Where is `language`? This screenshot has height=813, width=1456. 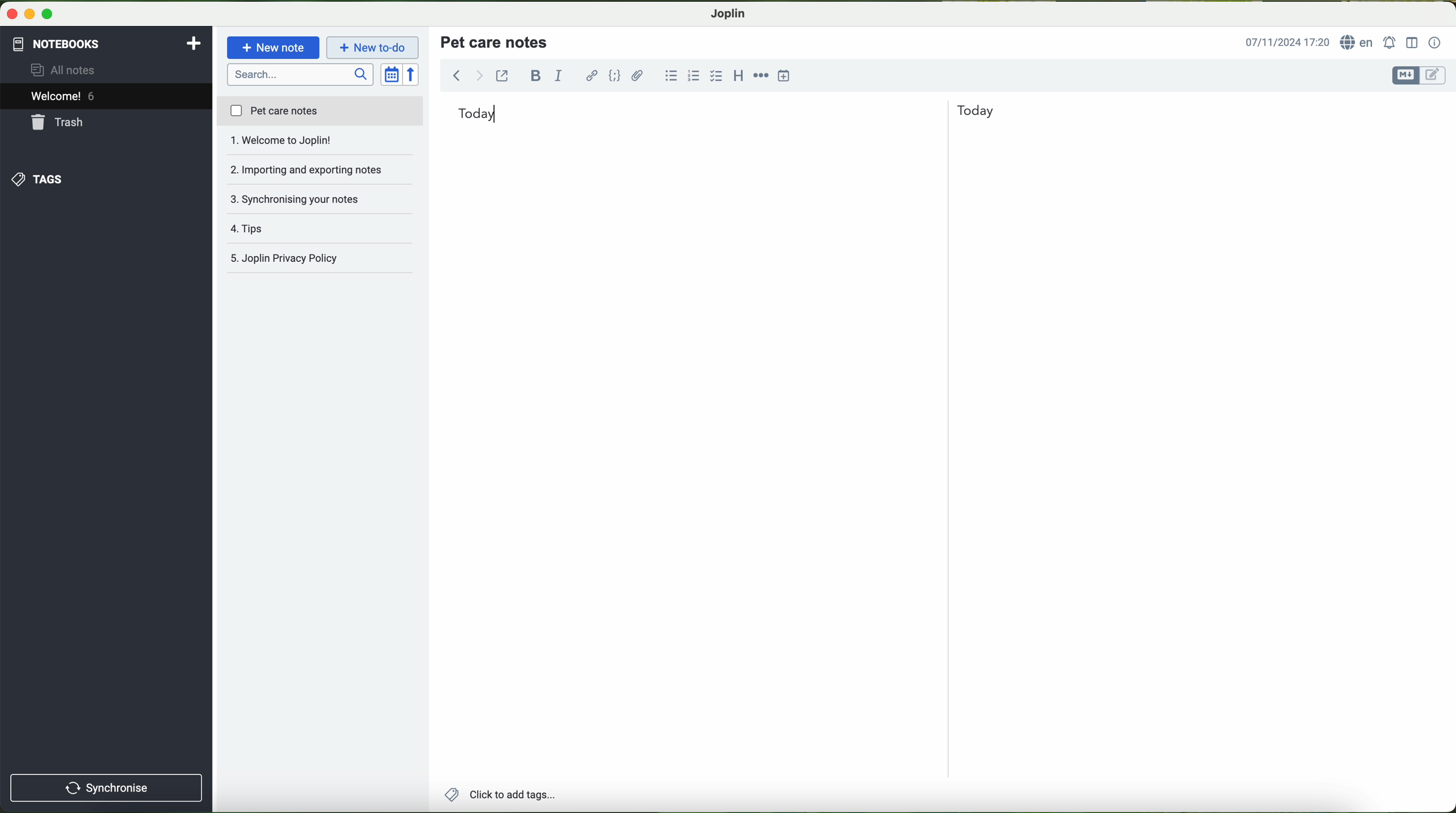
language is located at coordinates (1359, 43).